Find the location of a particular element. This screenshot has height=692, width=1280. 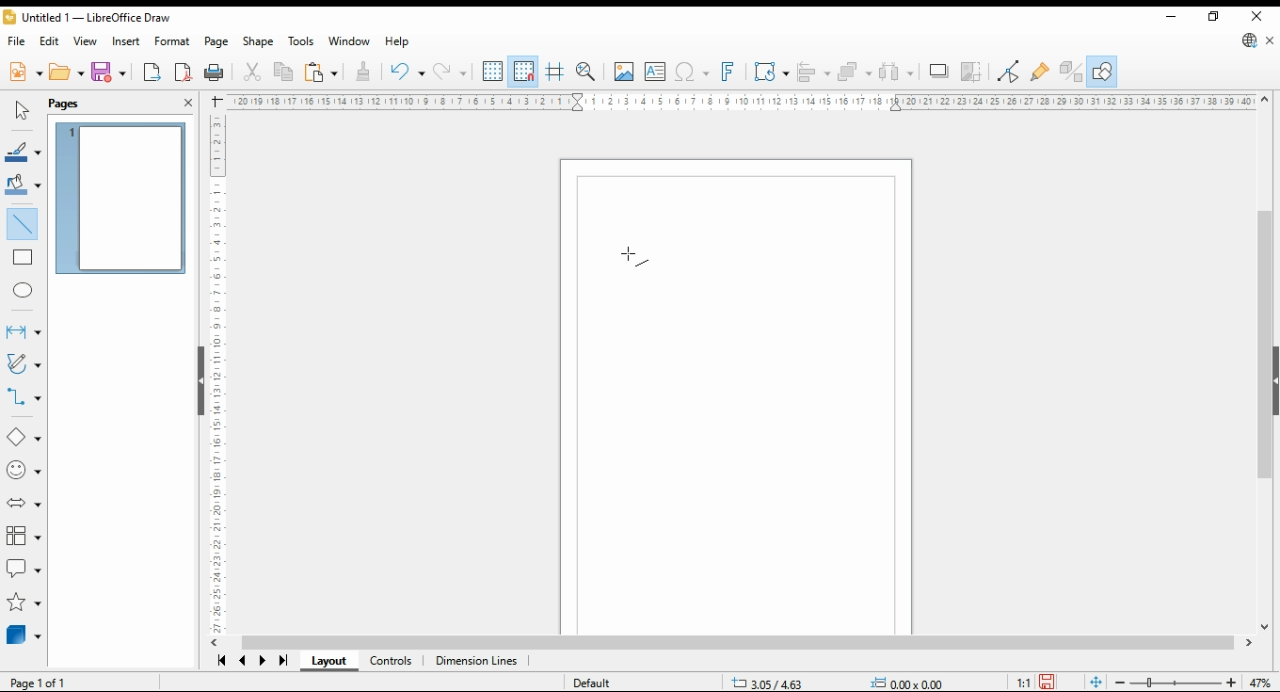

workspace is located at coordinates (736, 396).